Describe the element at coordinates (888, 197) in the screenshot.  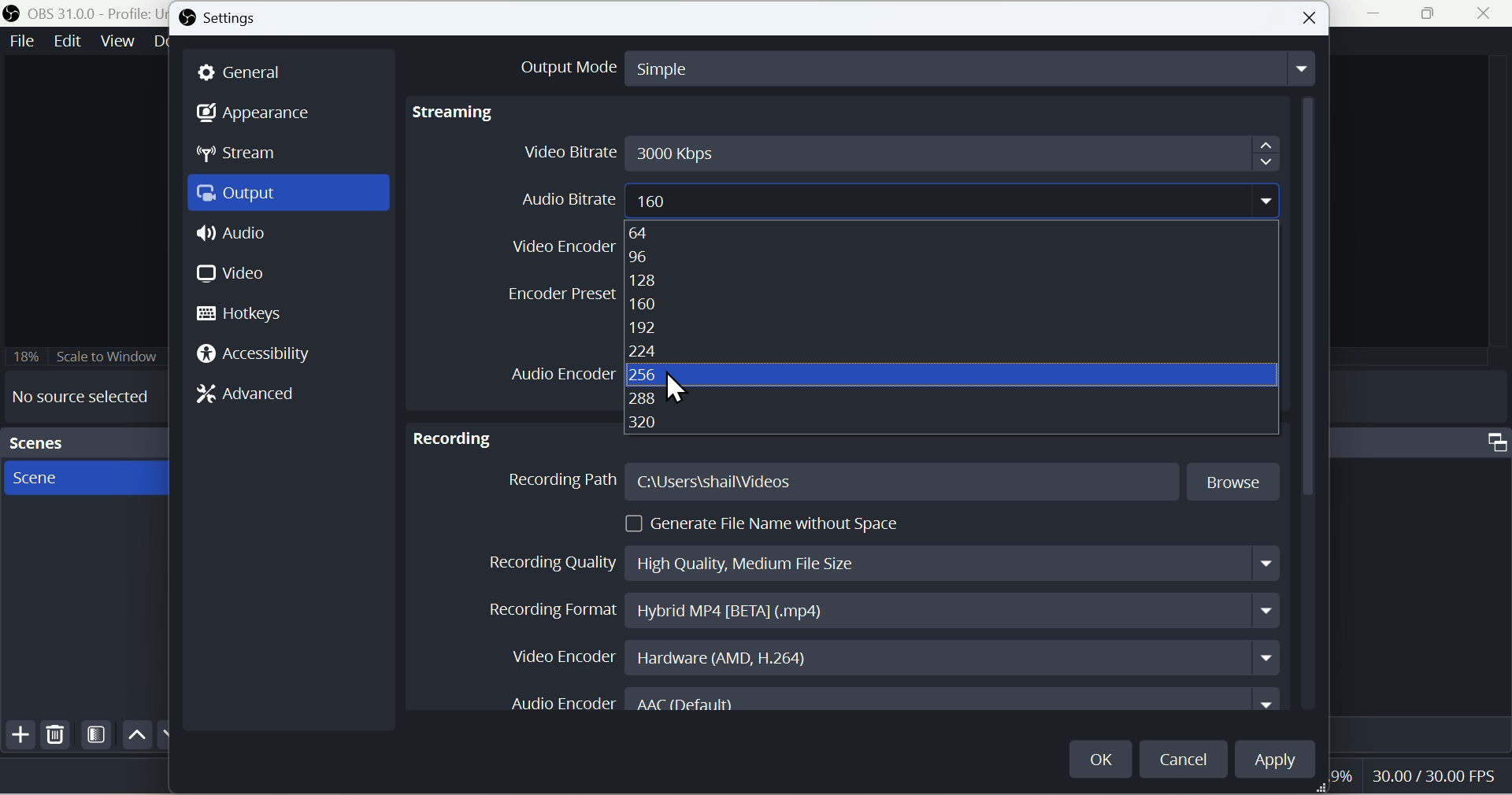
I see `Audio Bitrate` at that location.